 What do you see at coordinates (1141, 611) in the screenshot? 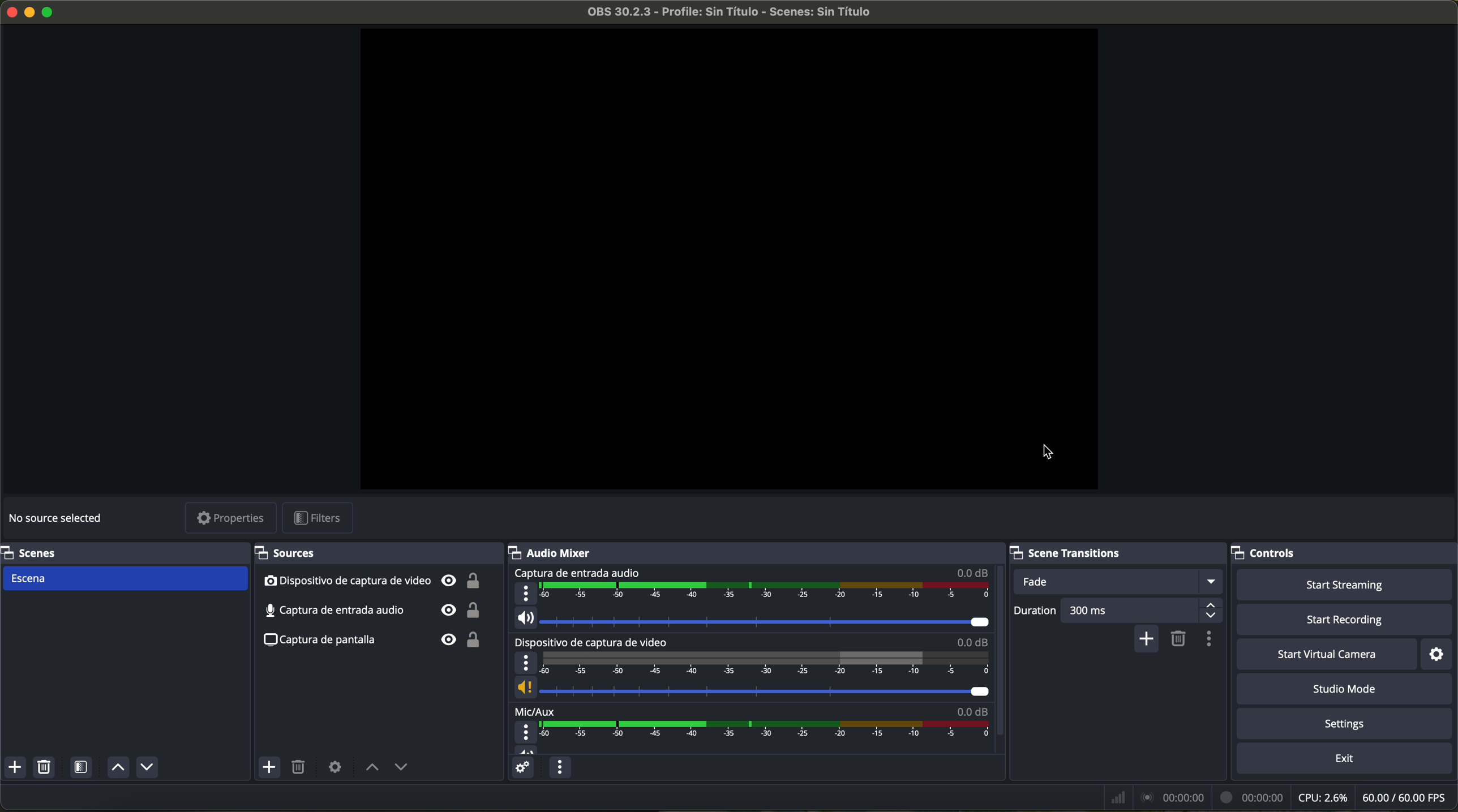
I see `300 ms` at bounding box center [1141, 611].